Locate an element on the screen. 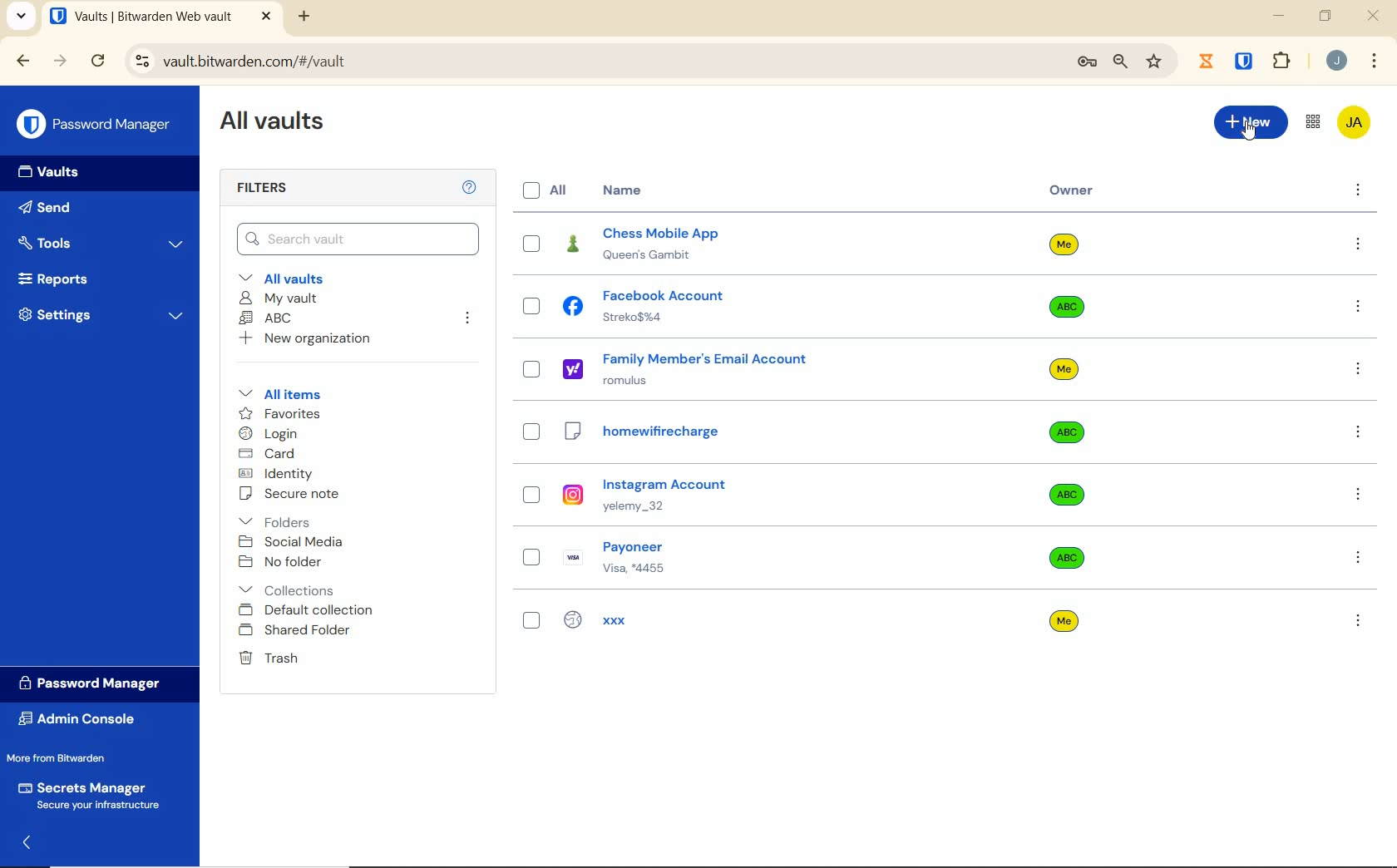 The width and height of the screenshot is (1397, 868). card is located at coordinates (269, 454).